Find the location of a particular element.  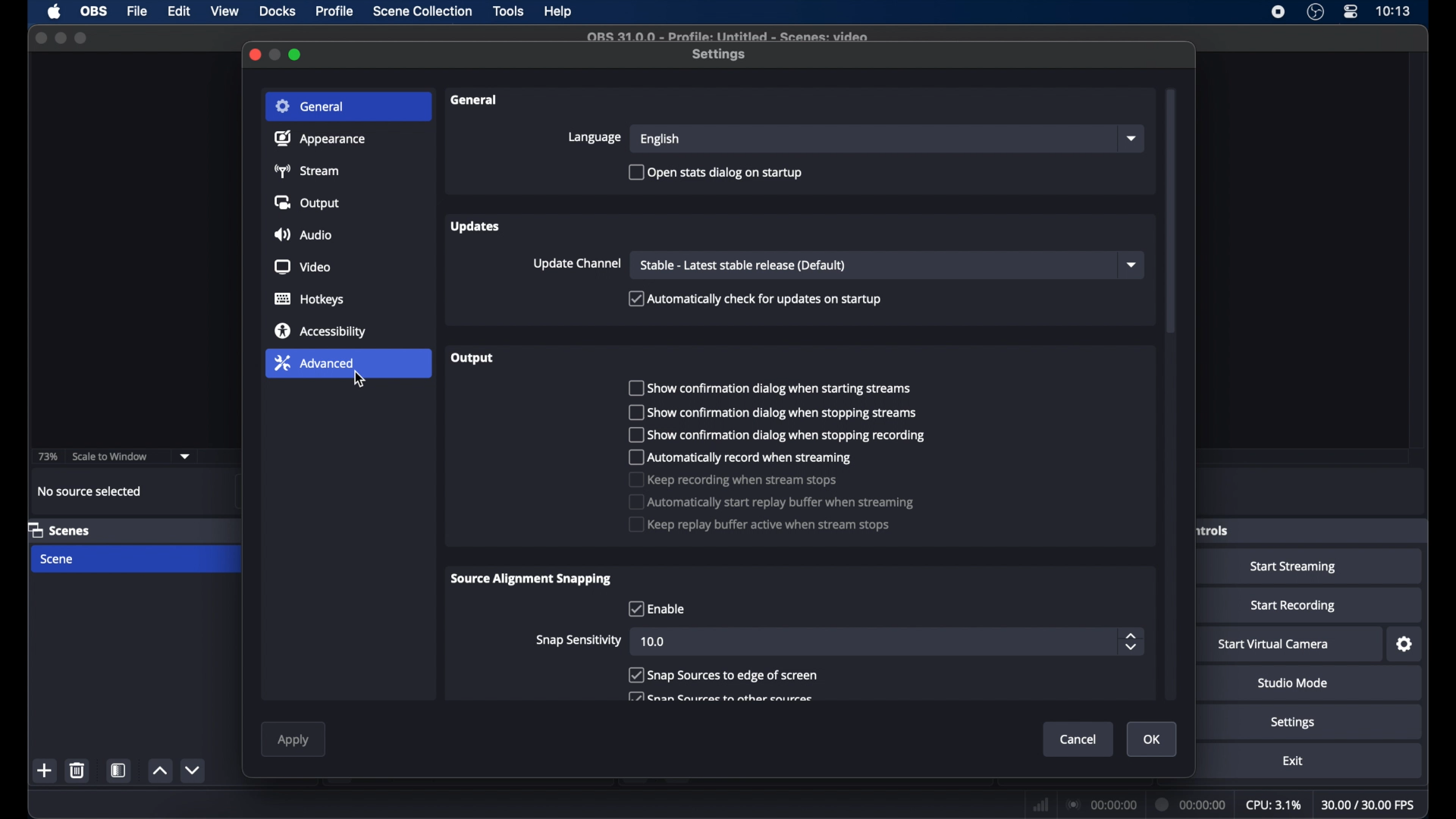

advanced  is located at coordinates (314, 362).